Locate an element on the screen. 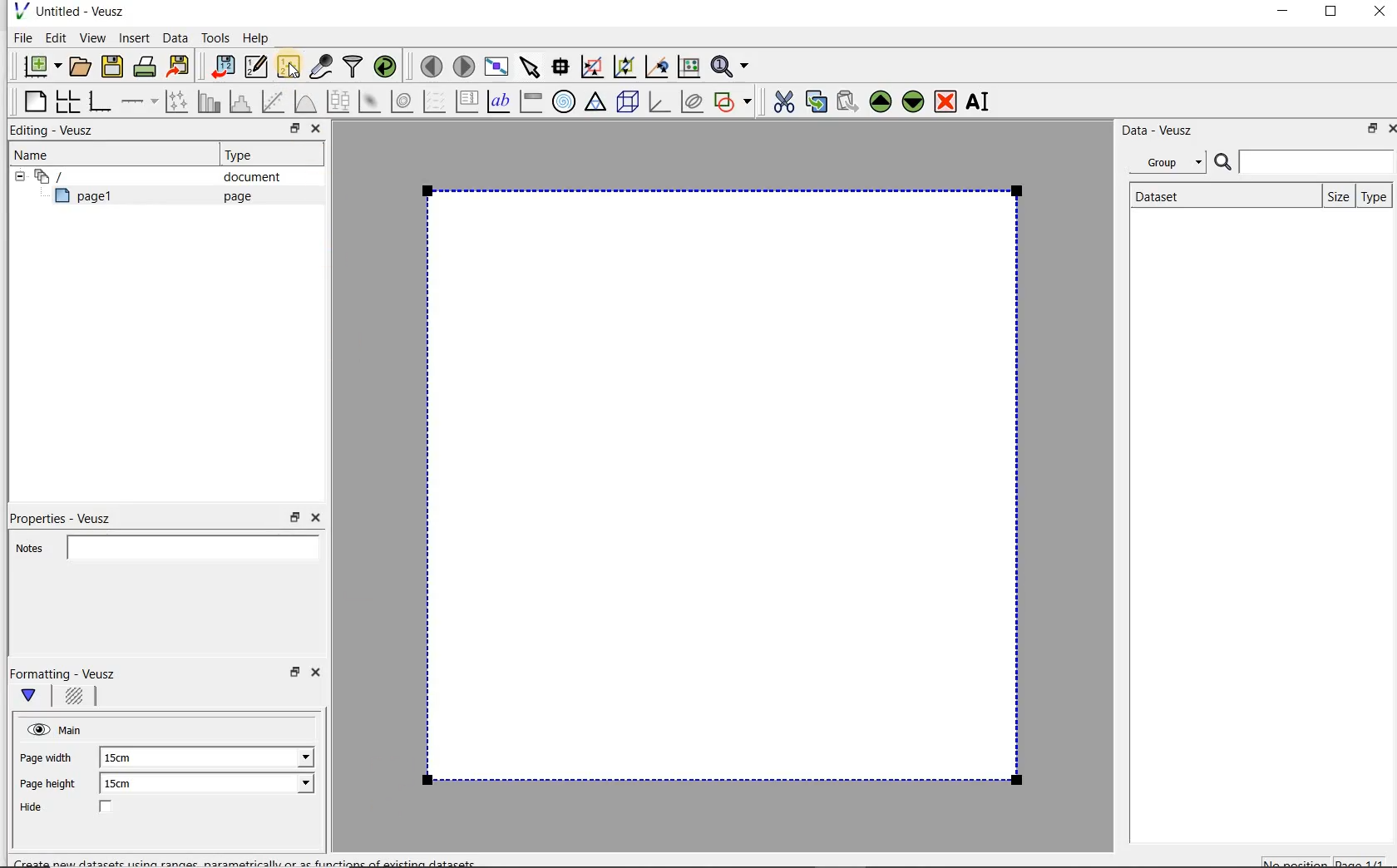 The height and width of the screenshot is (868, 1397). move to the previous page is located at coordinates (432, 64).